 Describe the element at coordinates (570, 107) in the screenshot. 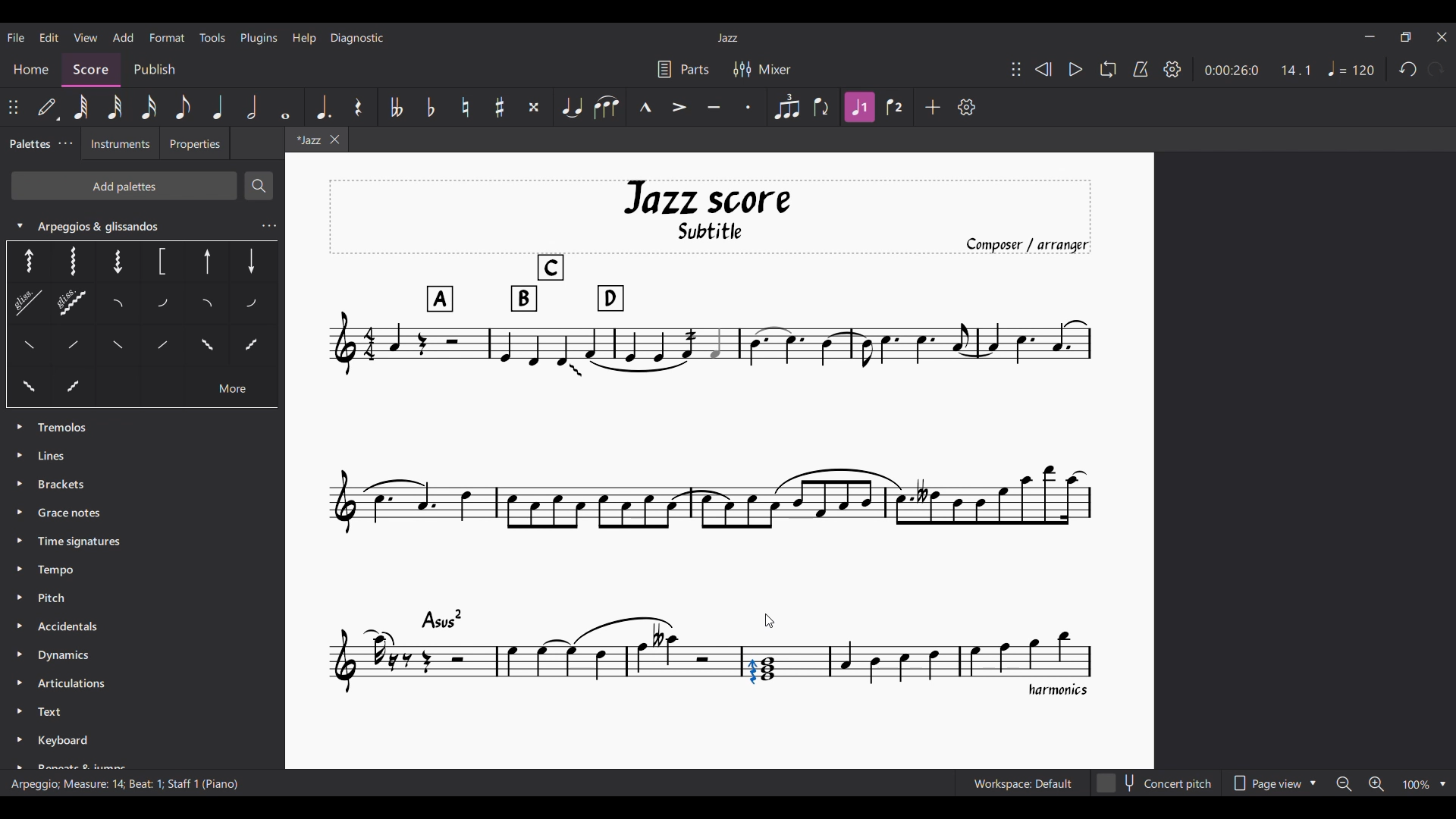

I see `Tie` at that location.